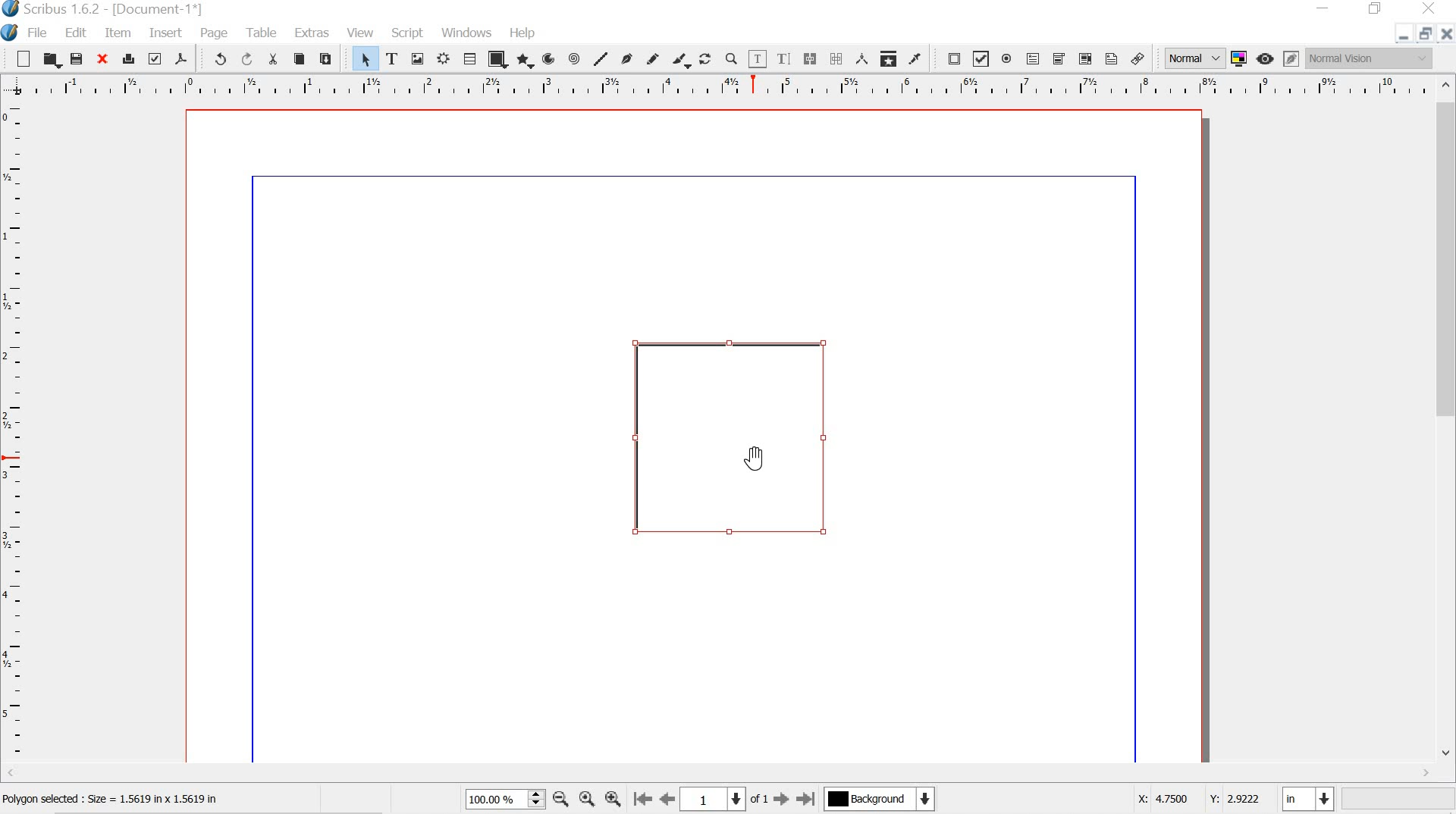 Image resolution: width=1456 pixels, height=814 pixels. Describe the element at coordinates (786, 59) in the screenshot. I see `edit text with story editor` at that location.